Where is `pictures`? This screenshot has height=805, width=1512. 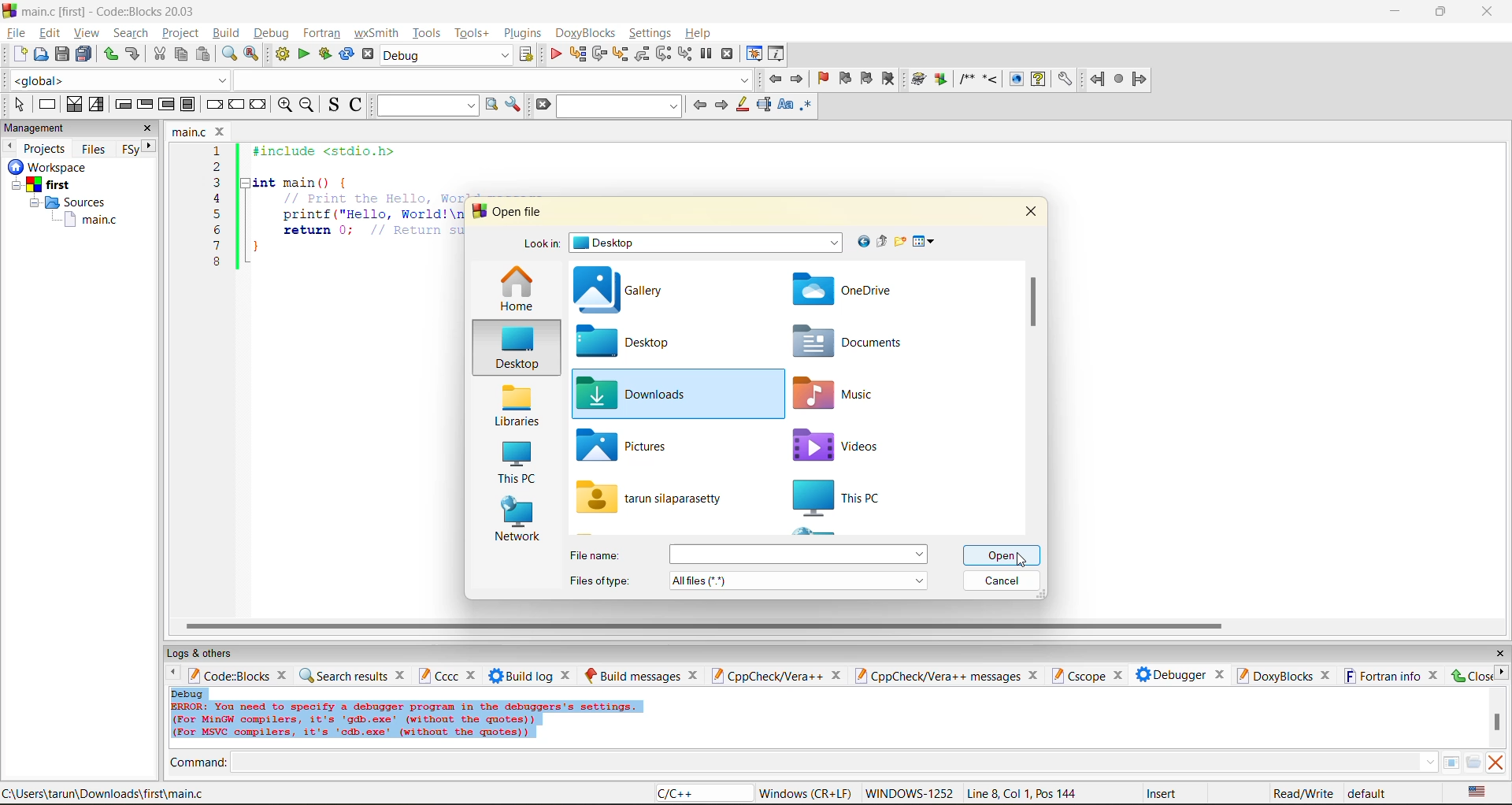 pictures is located at coordinates (639, 446).